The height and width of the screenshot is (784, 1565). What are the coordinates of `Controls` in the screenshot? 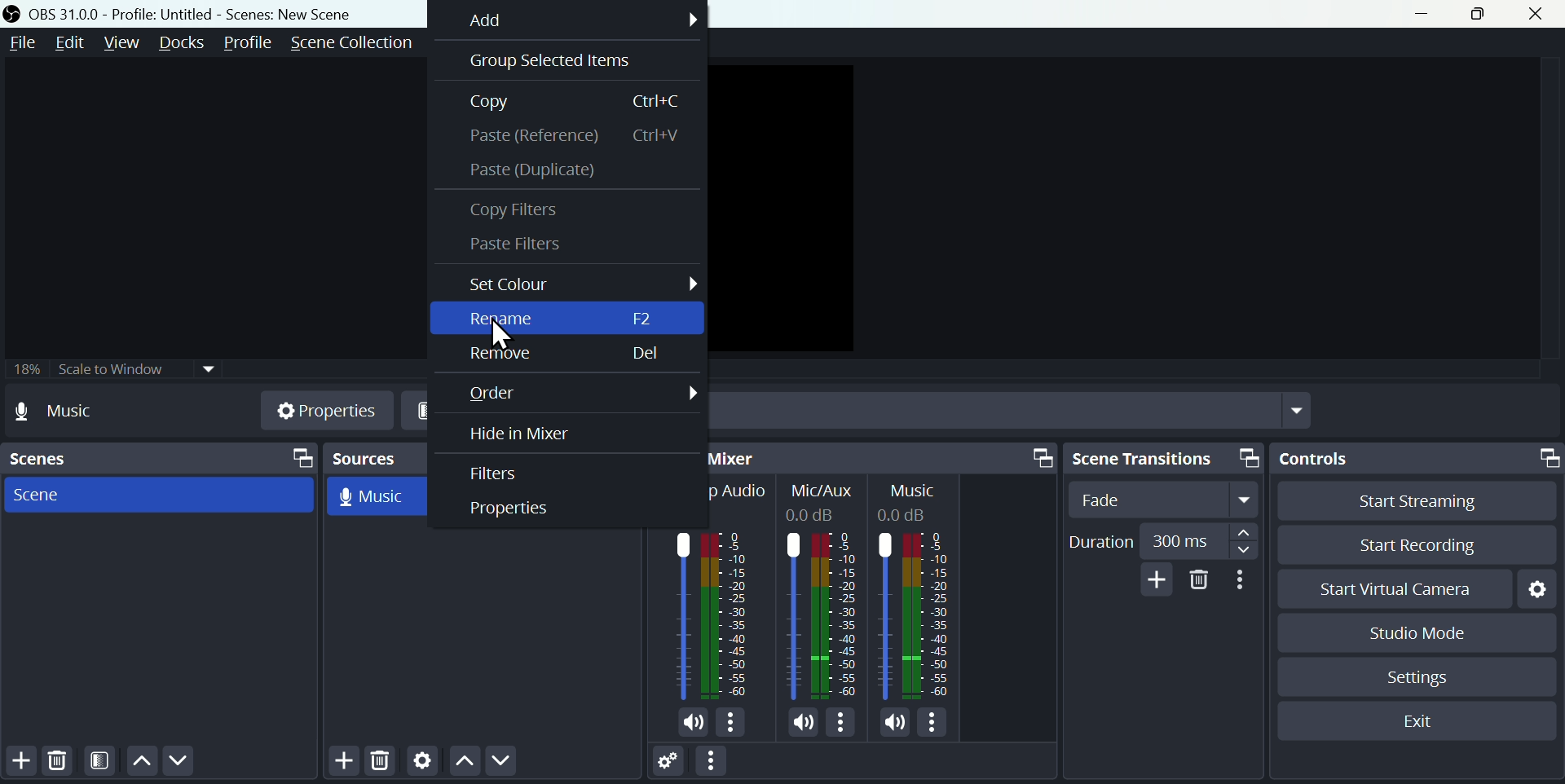 It's located at (1417, 455).